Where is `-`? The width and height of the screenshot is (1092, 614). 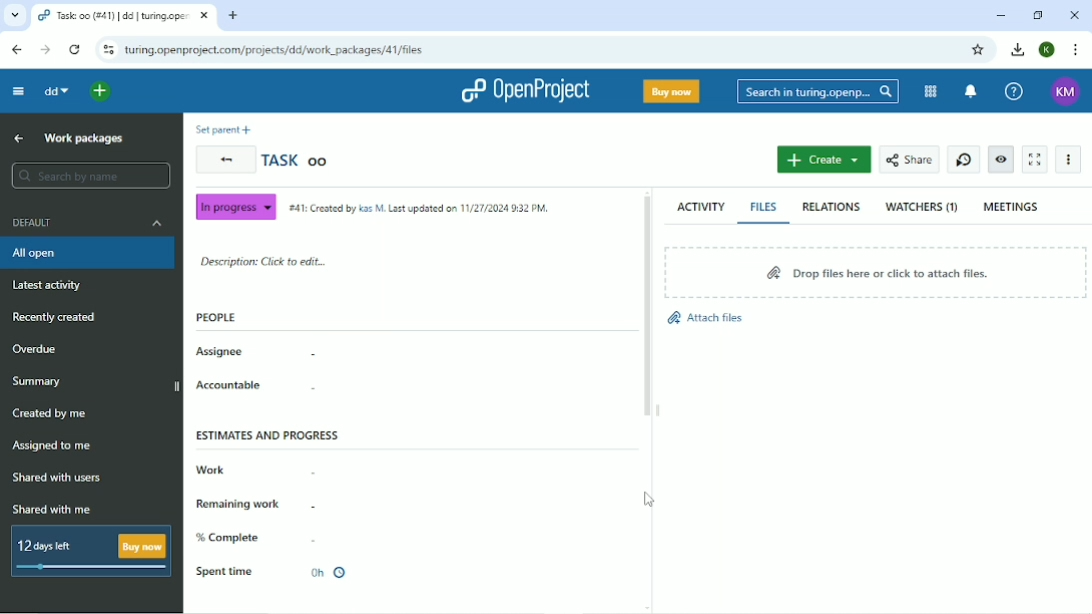 - is located at coordinates (312, 469).